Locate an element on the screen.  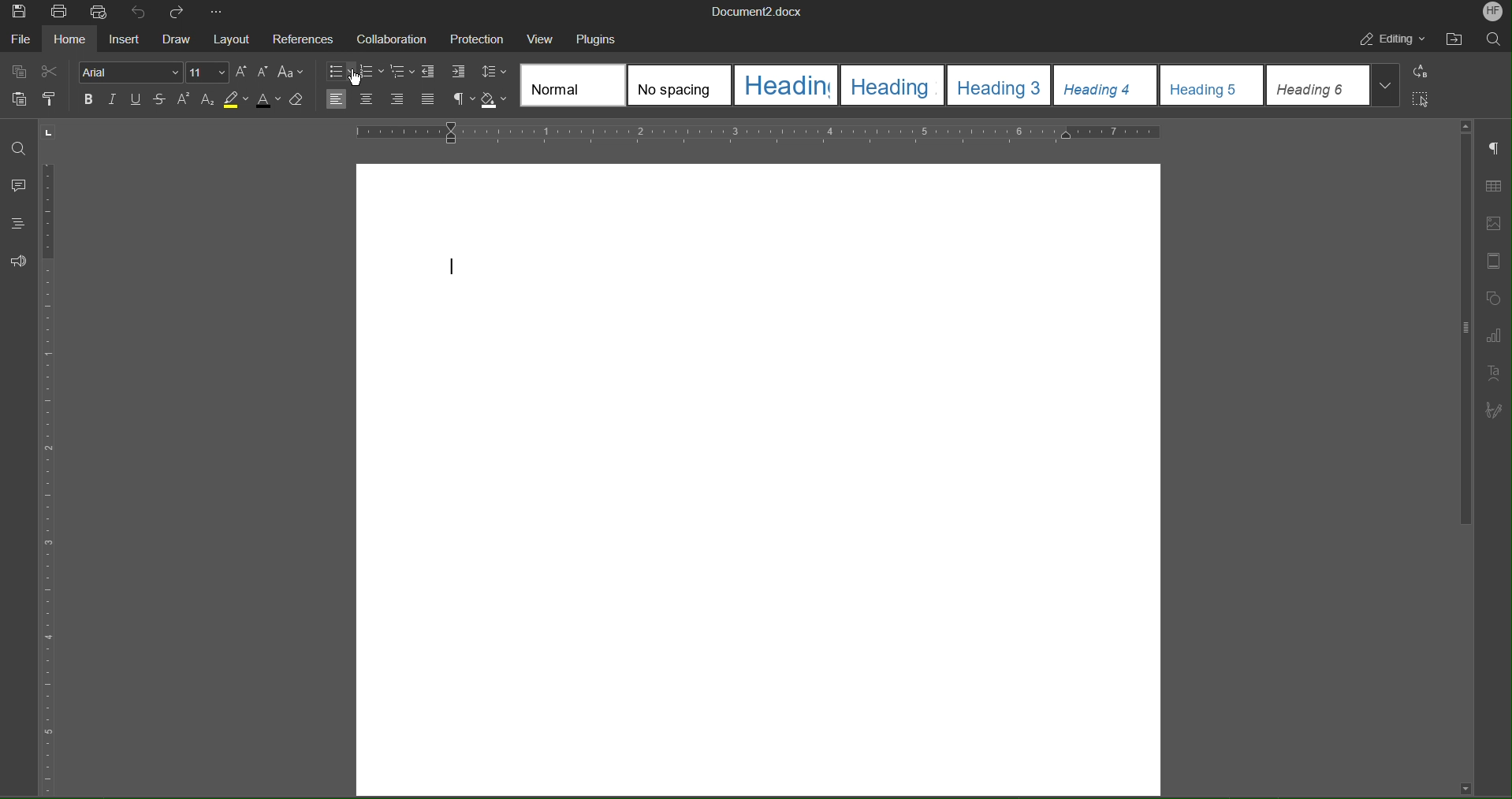
Decrease Indent is located at coordinates (430, 70).